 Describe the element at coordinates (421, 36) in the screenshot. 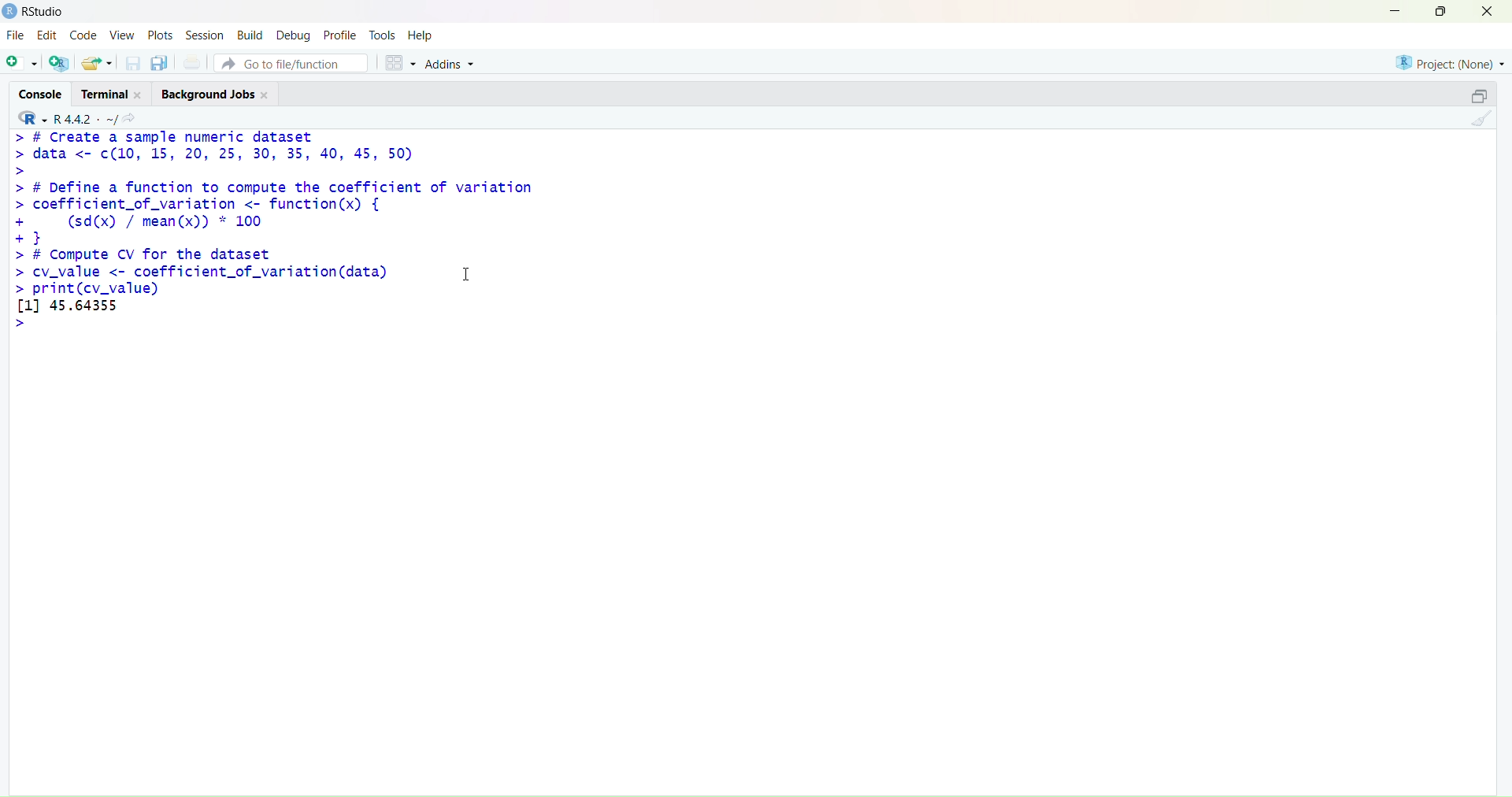

I see `help` at that location.